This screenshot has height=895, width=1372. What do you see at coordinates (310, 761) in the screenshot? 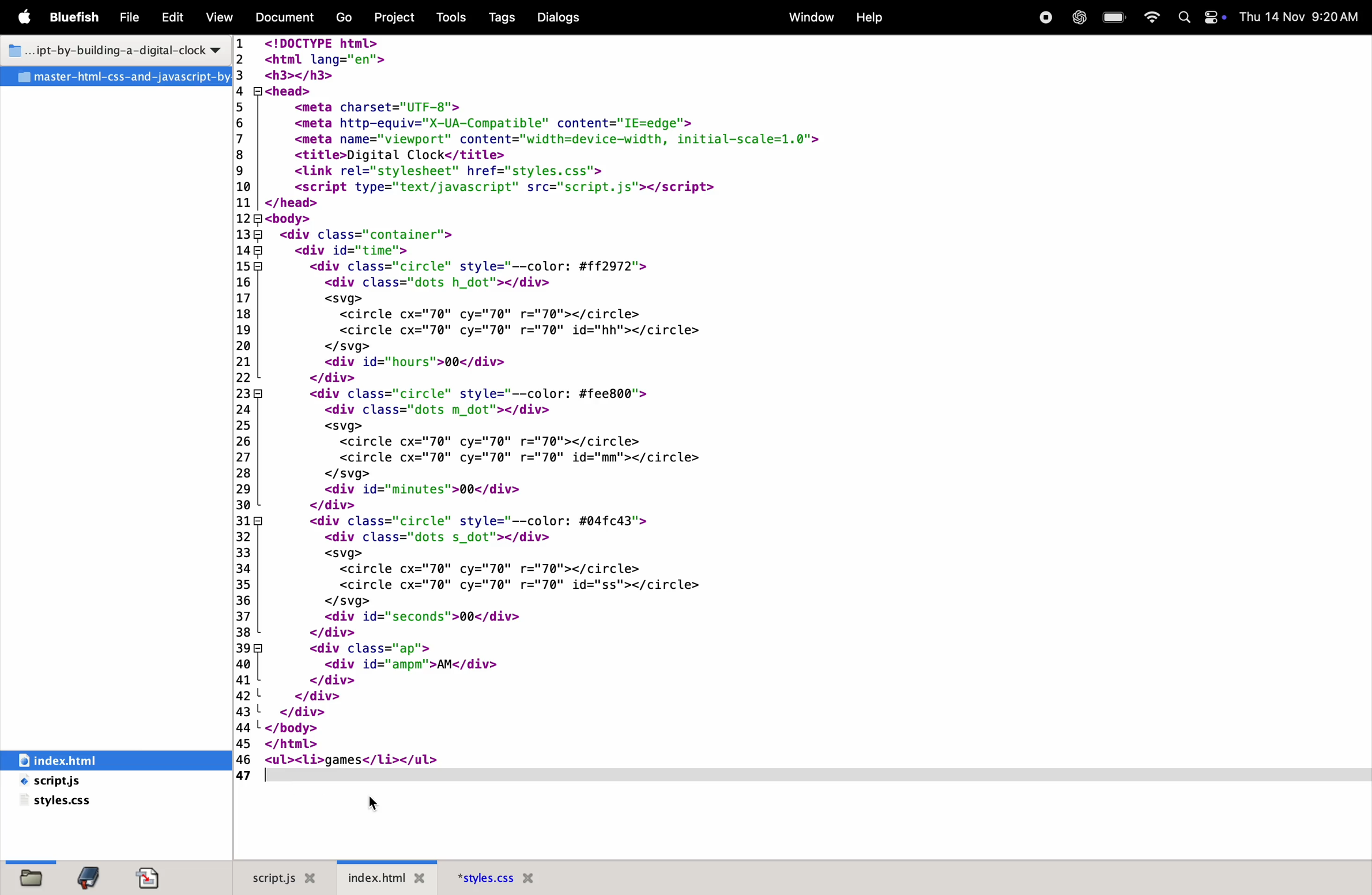
I see `unordered list` at bounding box center [310, 761].